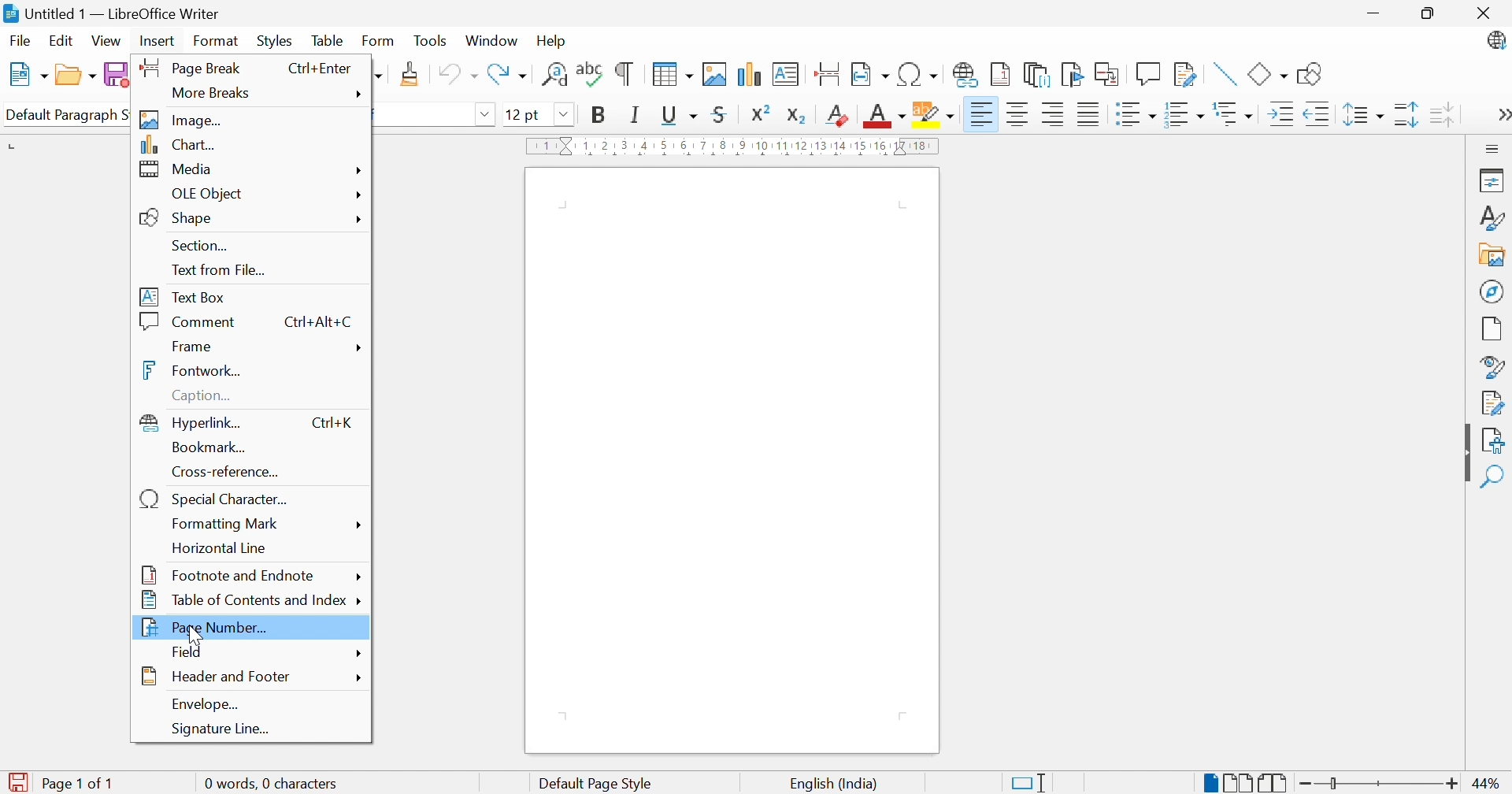  What do you see at coordinates (377, 41) in the screenshot?
I see `Form` at bounding box center [377, 41].